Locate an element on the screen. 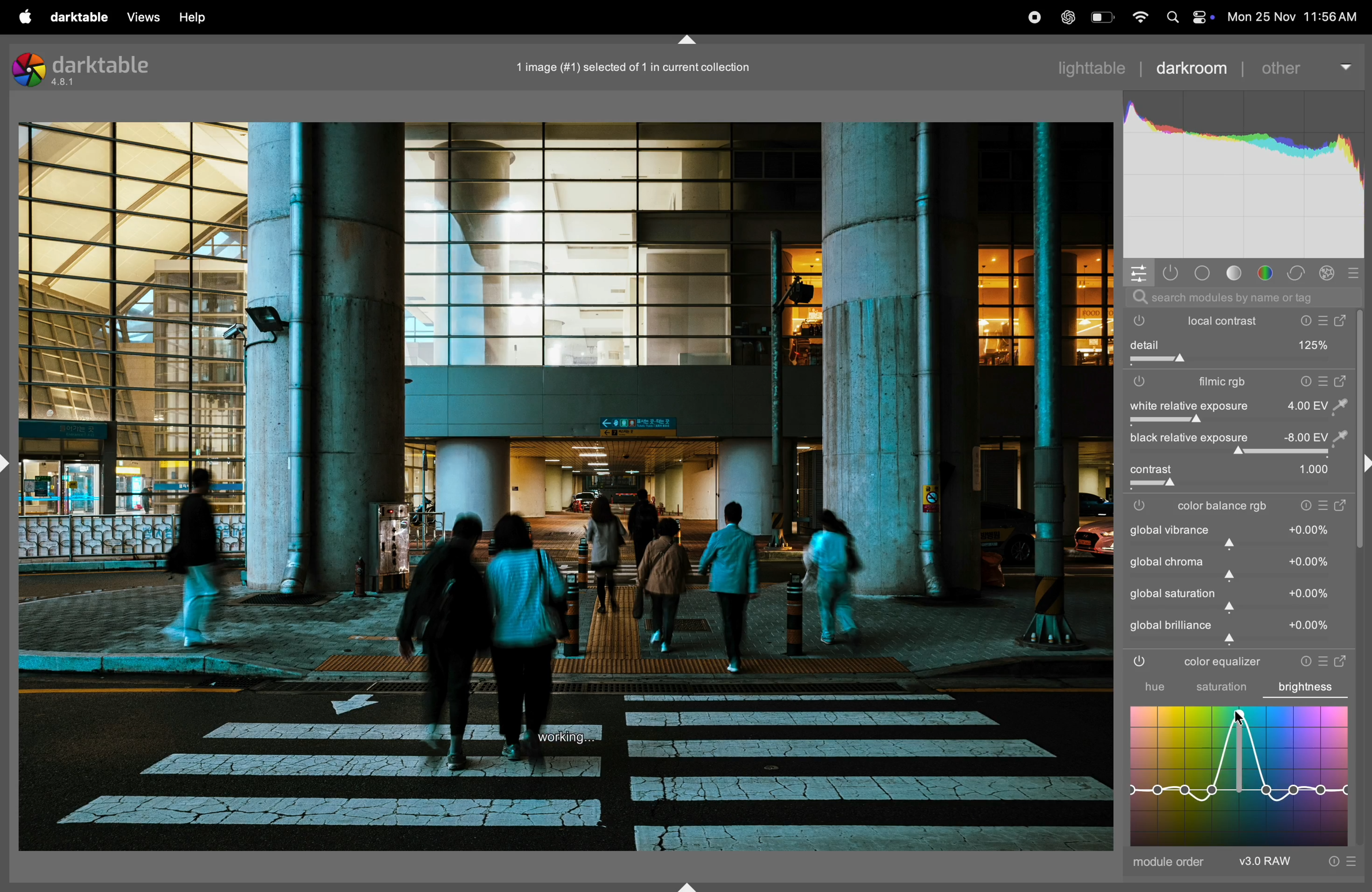  apple widgets is located at coordinates (1187, 17).